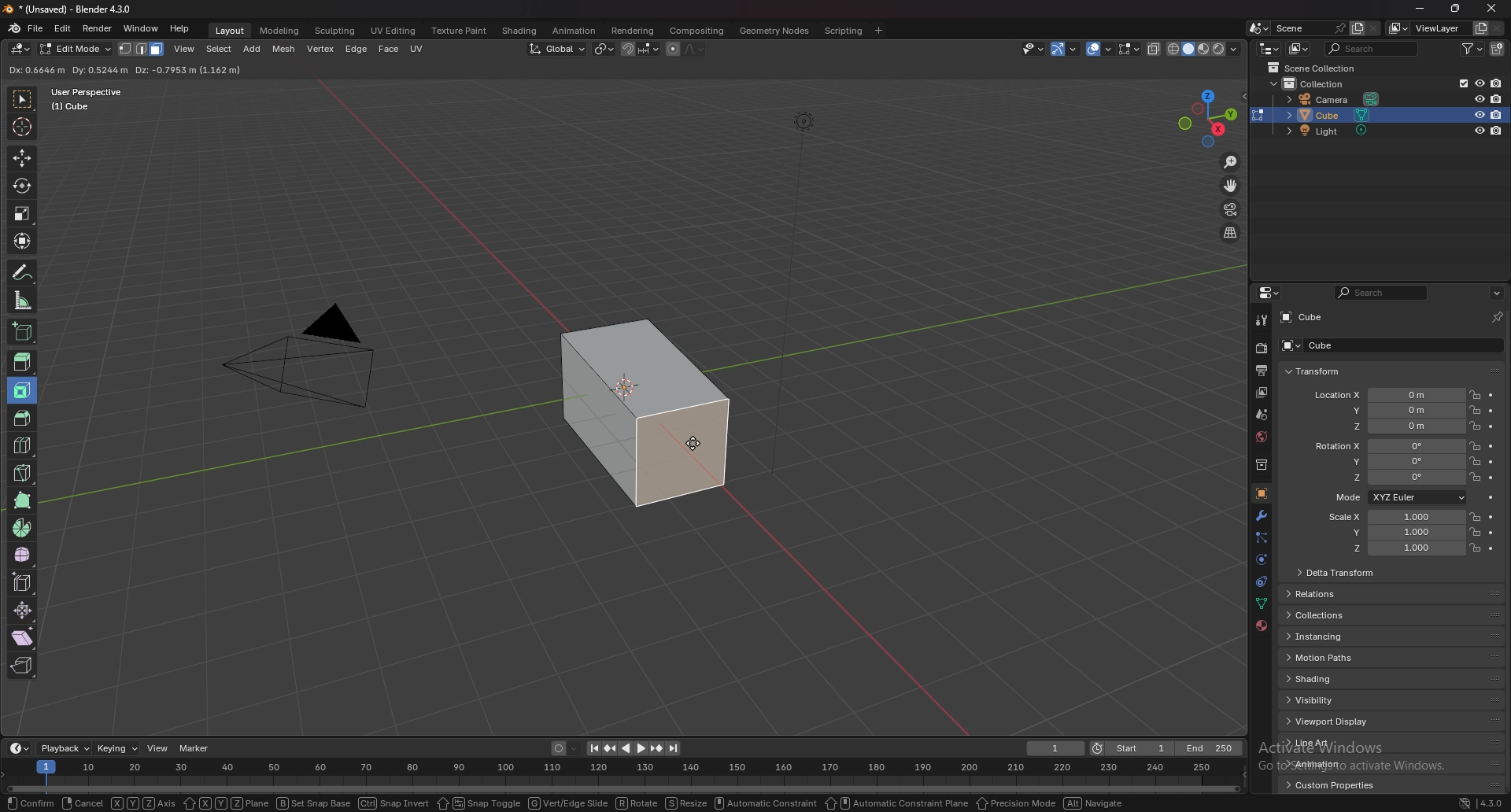 This screenshot has height=812, width=1511. What do you see at coordinates (1155, 50) in the screenshot?
I see `toggle xray` at bounding box center [1155, 50].